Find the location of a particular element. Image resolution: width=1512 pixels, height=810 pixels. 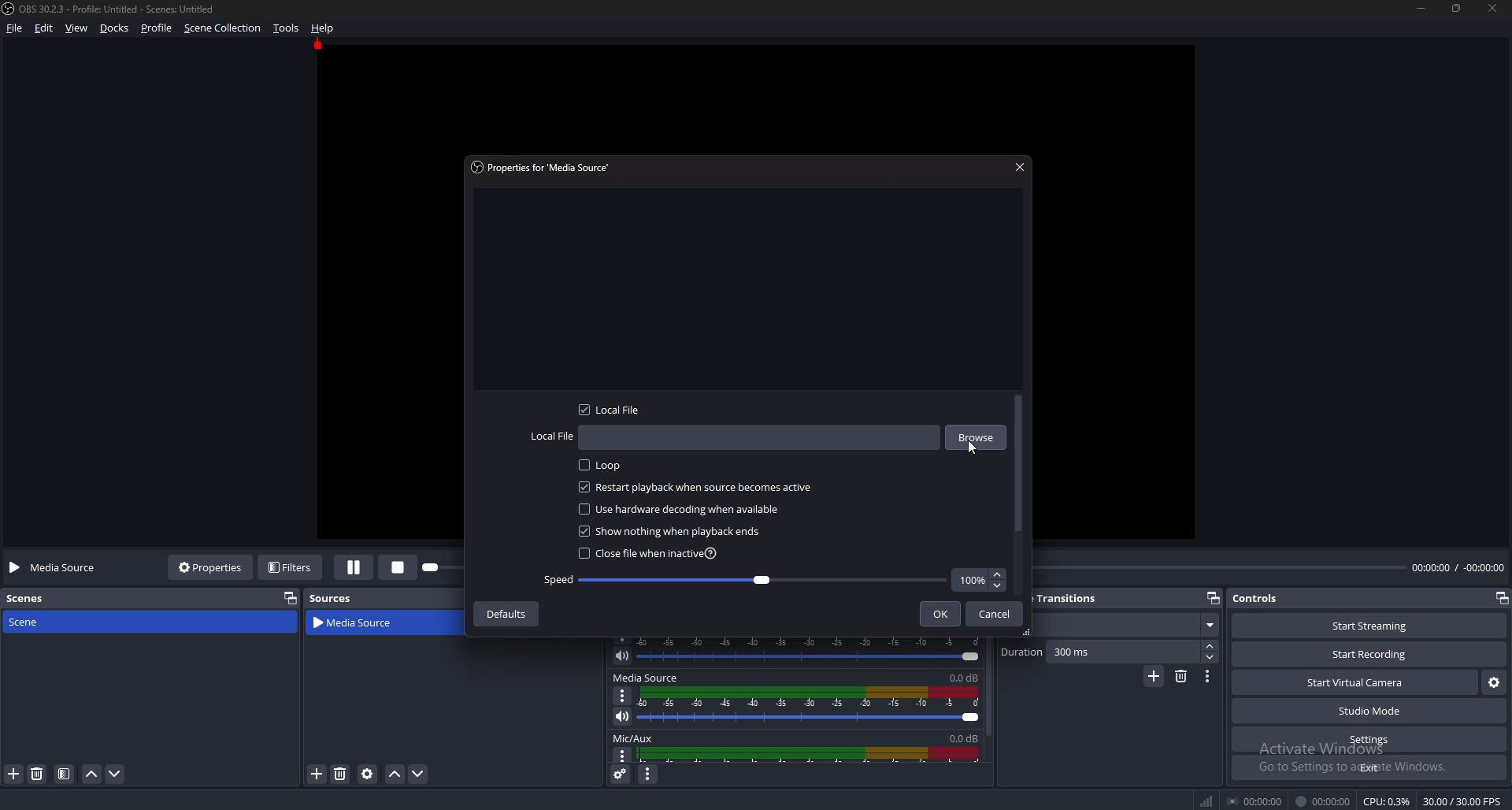

00:00:00 is located at coordinates (1323, 801).